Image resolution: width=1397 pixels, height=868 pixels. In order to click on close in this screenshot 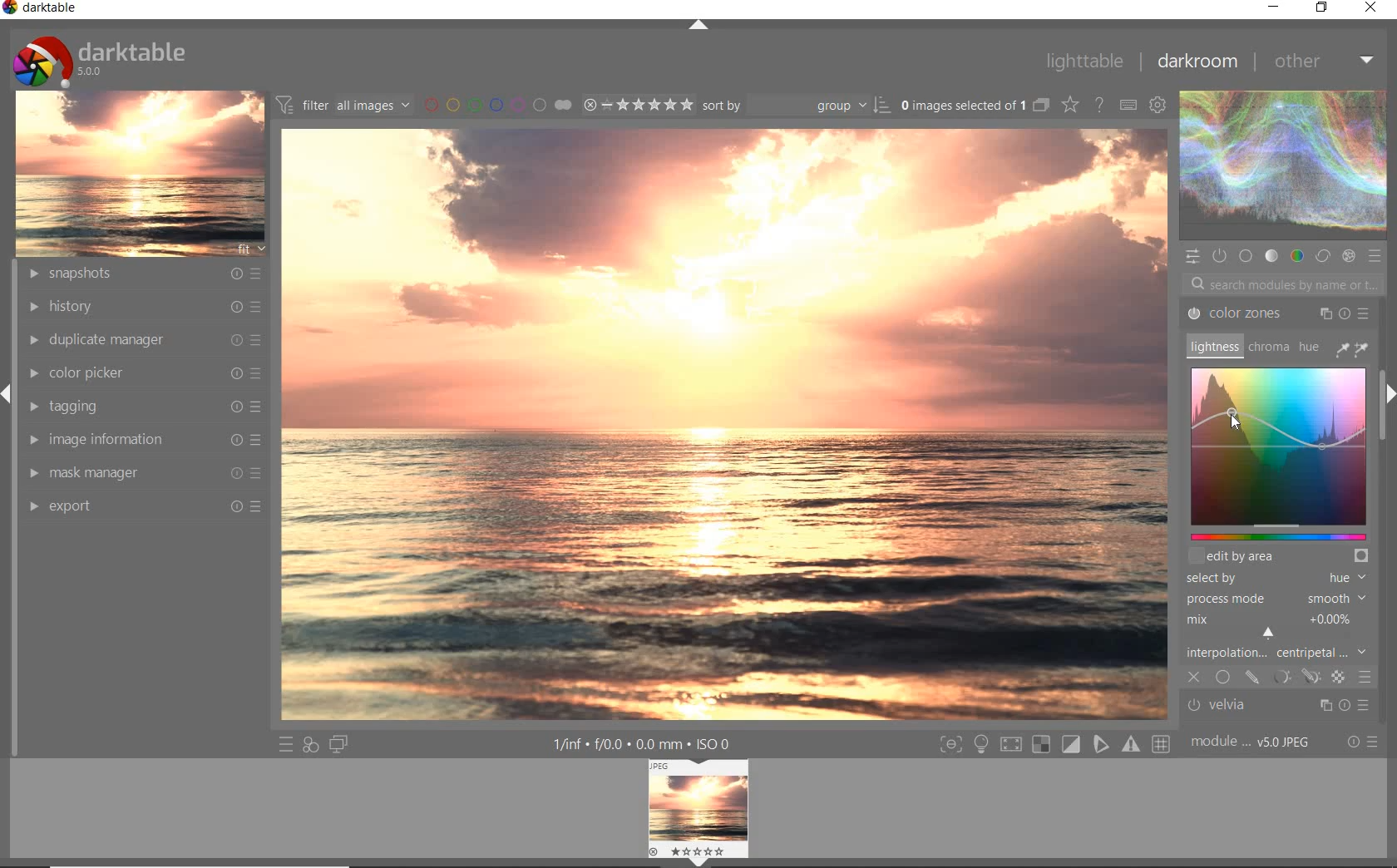, I will do `click(1374, 9)`.